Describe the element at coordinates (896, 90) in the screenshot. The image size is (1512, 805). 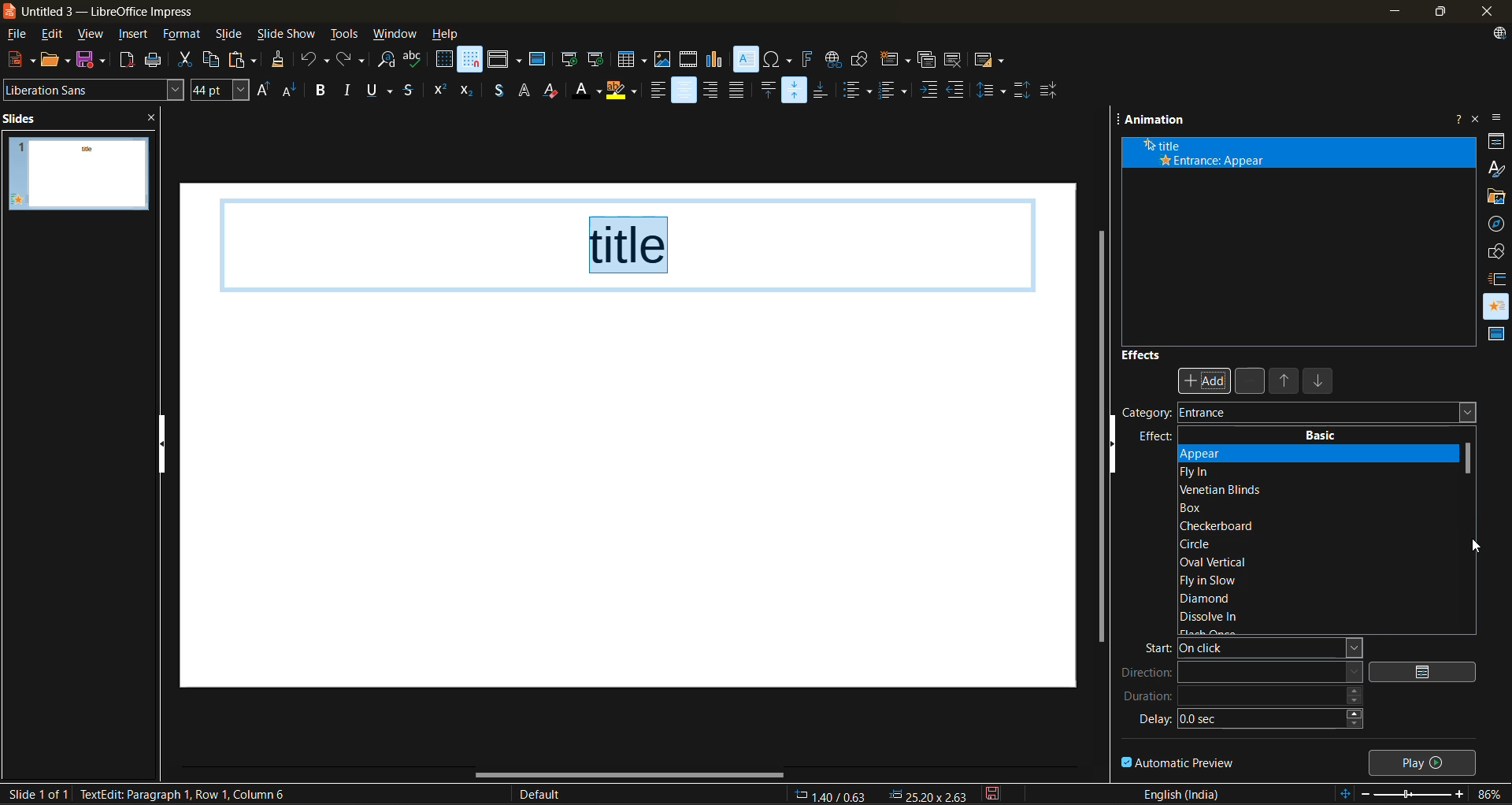
I see `toggle ordered list` at that location.